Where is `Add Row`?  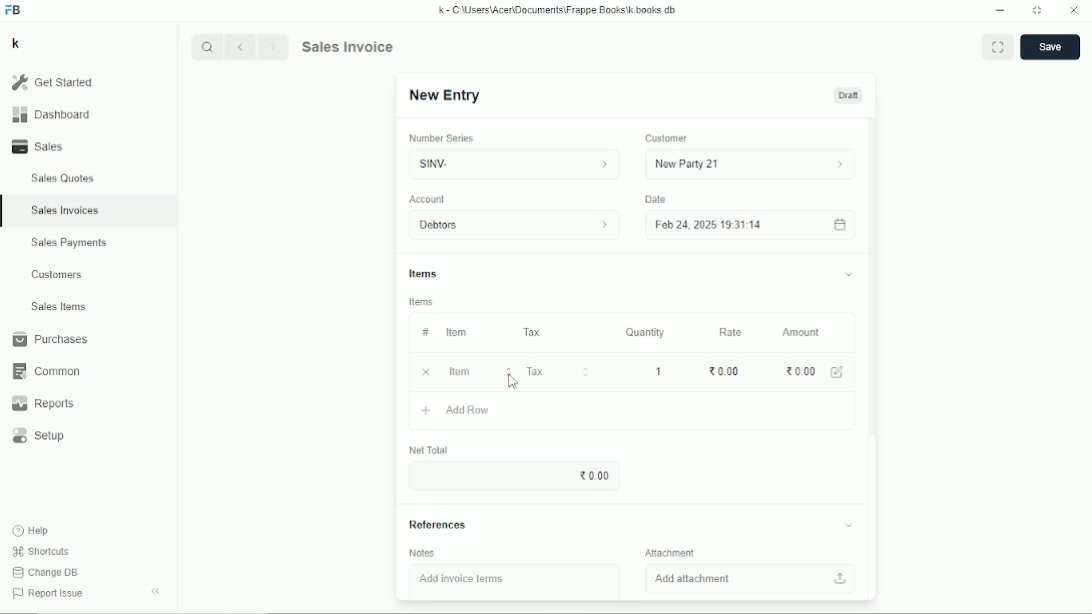 Add Row is located at coordinates (455, 410).